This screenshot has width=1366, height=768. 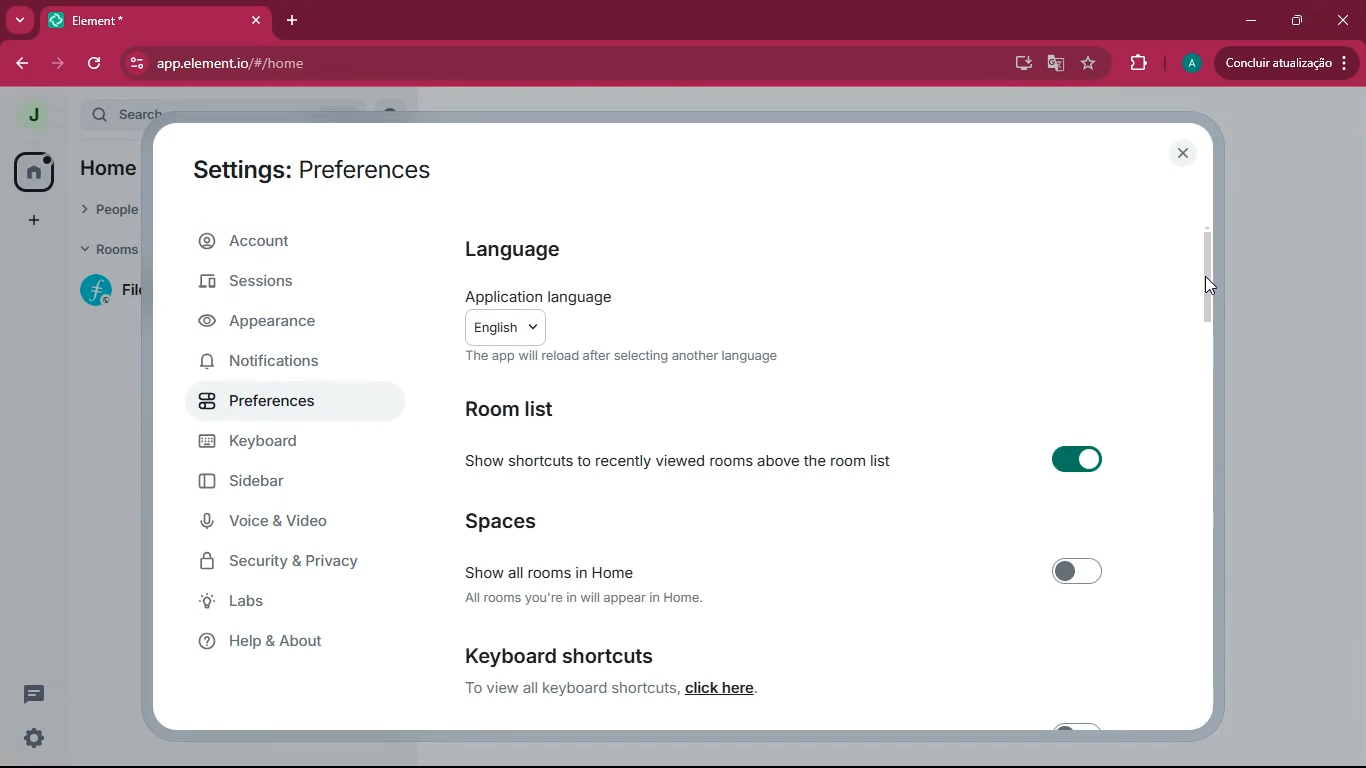 I want to click on back, so click(x=18, y=64).